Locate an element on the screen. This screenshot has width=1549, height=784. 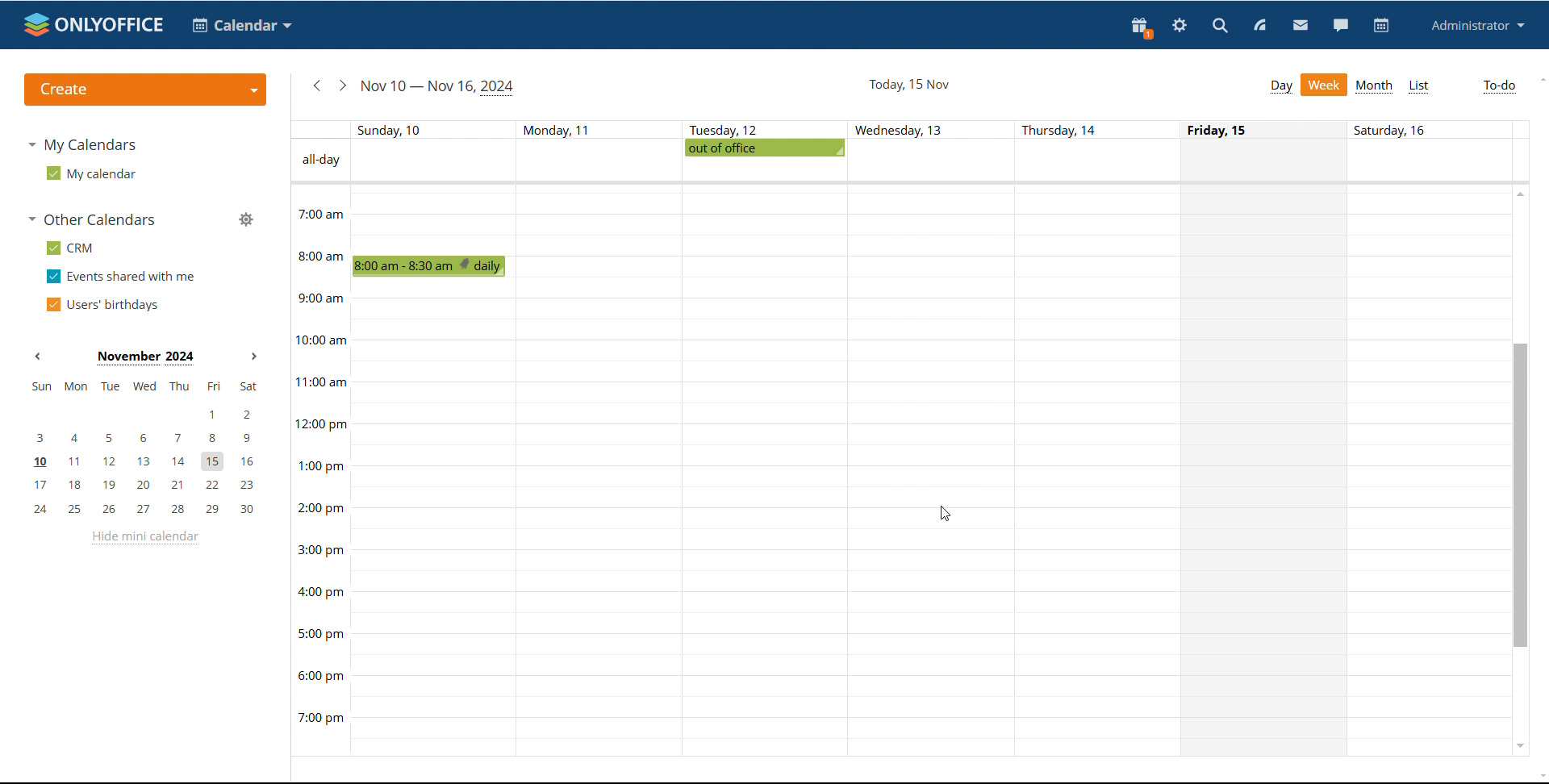
hide mini calendar is located at coordinates (145, 538).